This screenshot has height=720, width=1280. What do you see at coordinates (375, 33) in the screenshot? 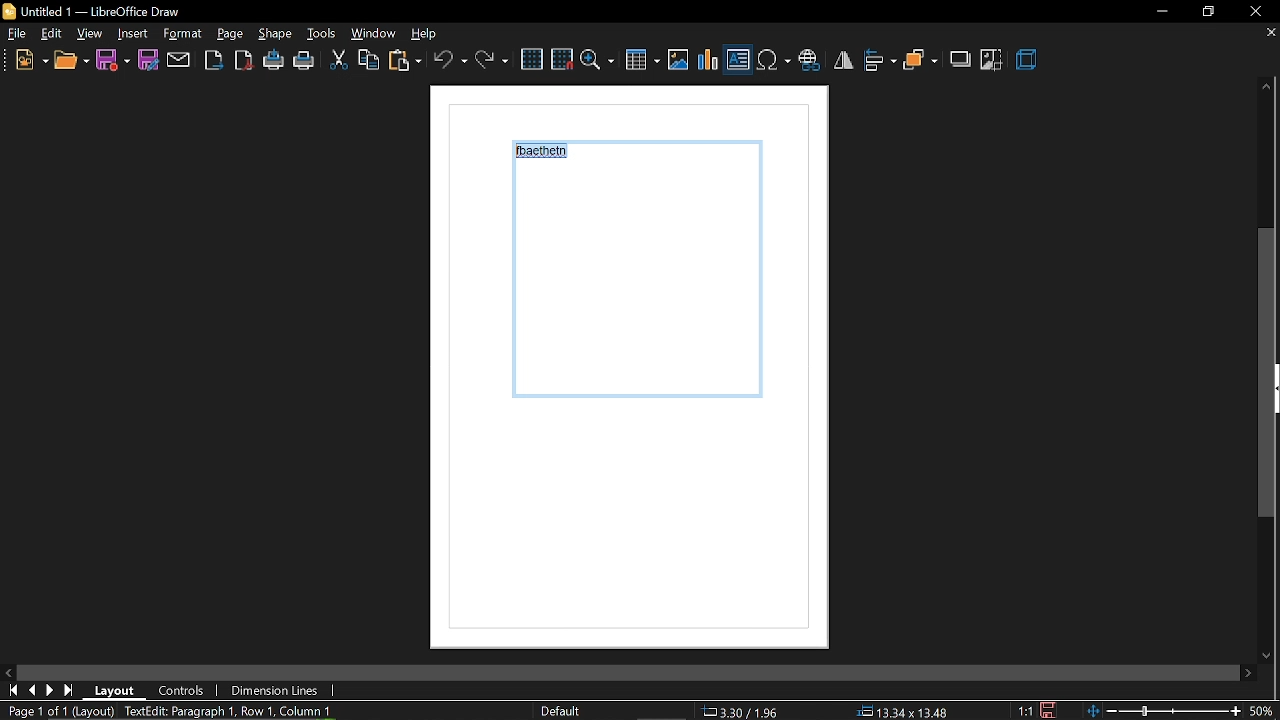
I see `window` at bounding box center [375, 33].